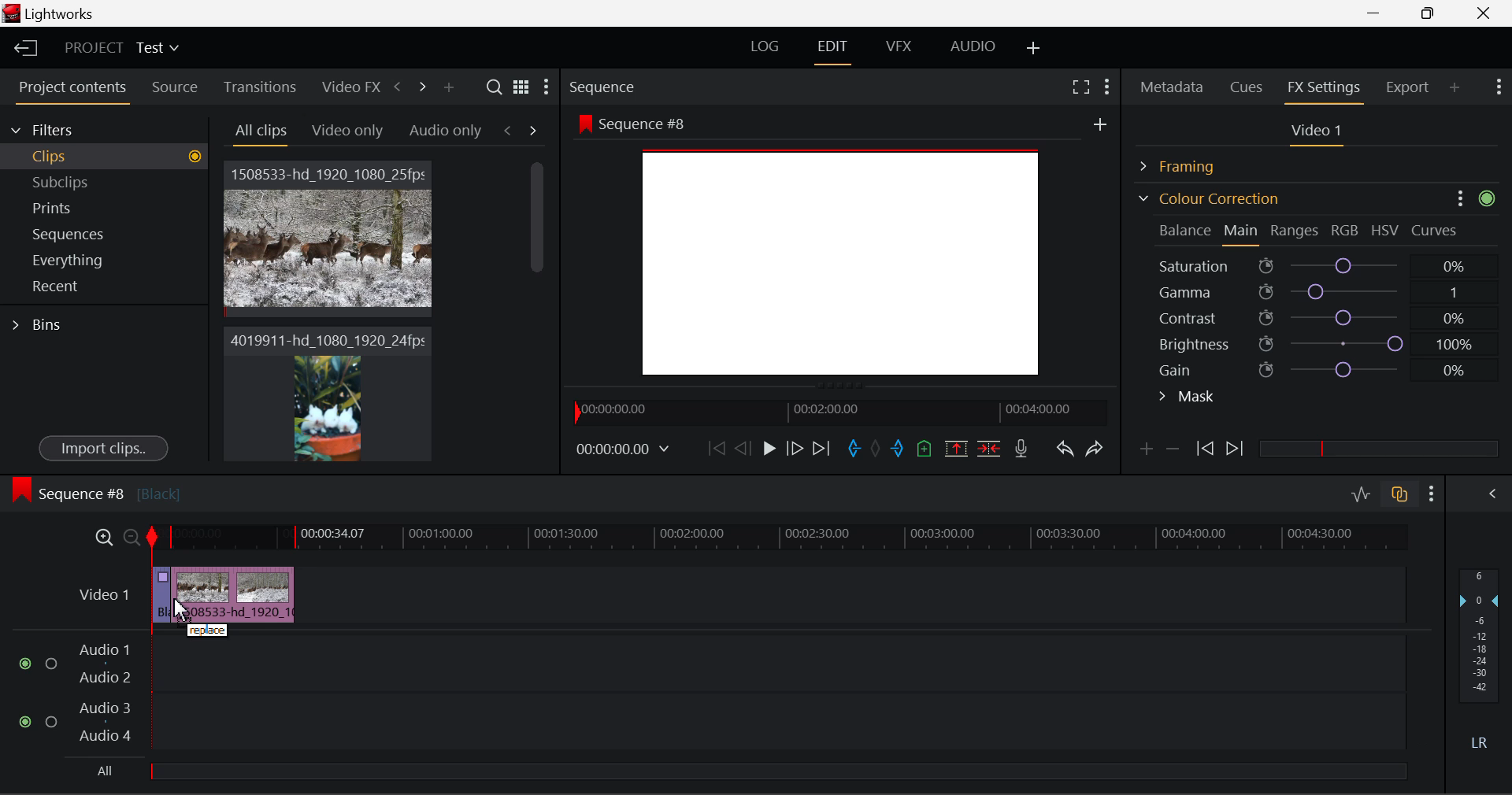 The width and height of the screenshot is (1512, 795). What do you see at coordinates (346, 87) in the screenshot?
I see `Video FX` at bounding box center [346, 87].